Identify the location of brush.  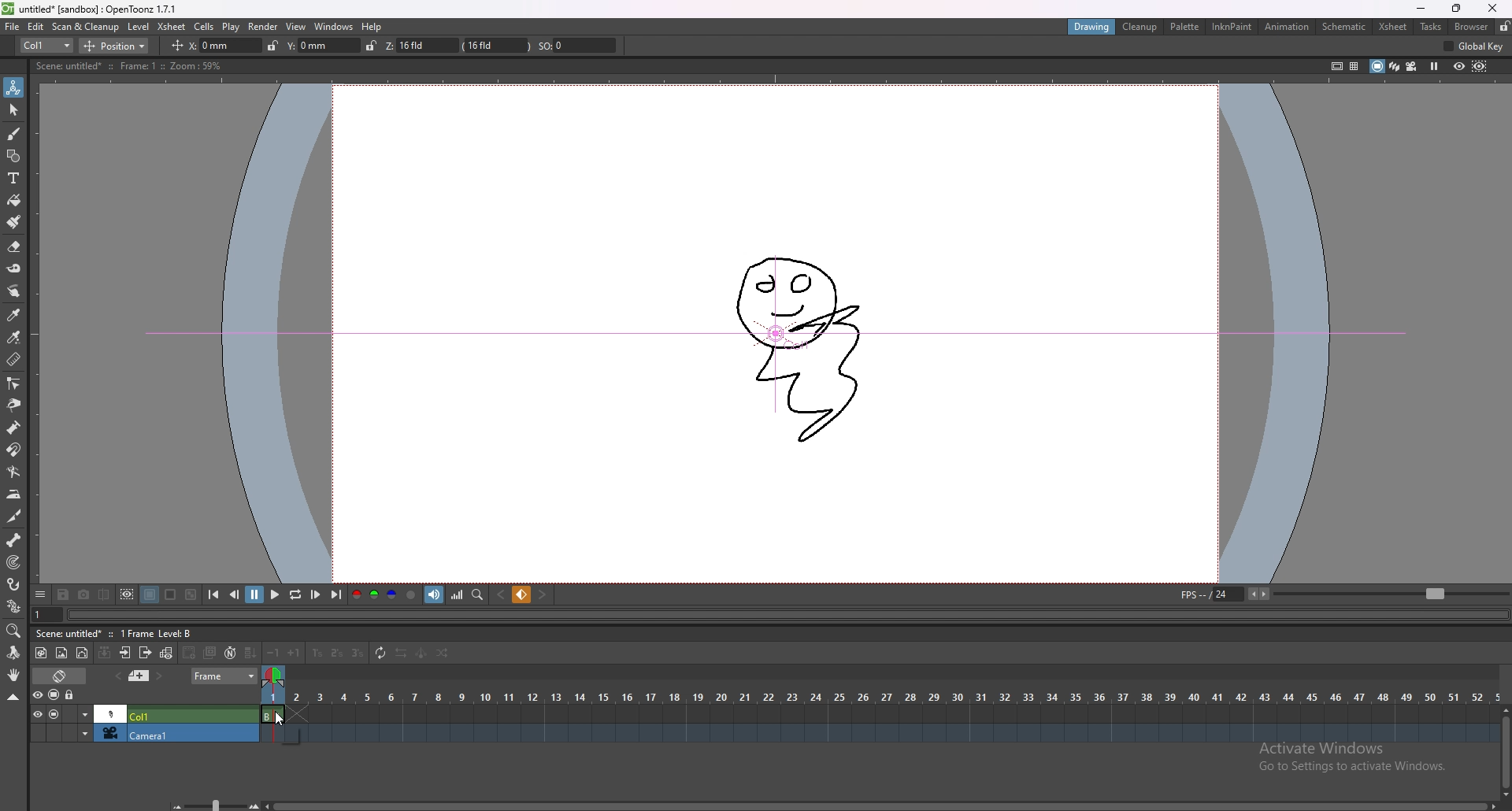
(14, 222).